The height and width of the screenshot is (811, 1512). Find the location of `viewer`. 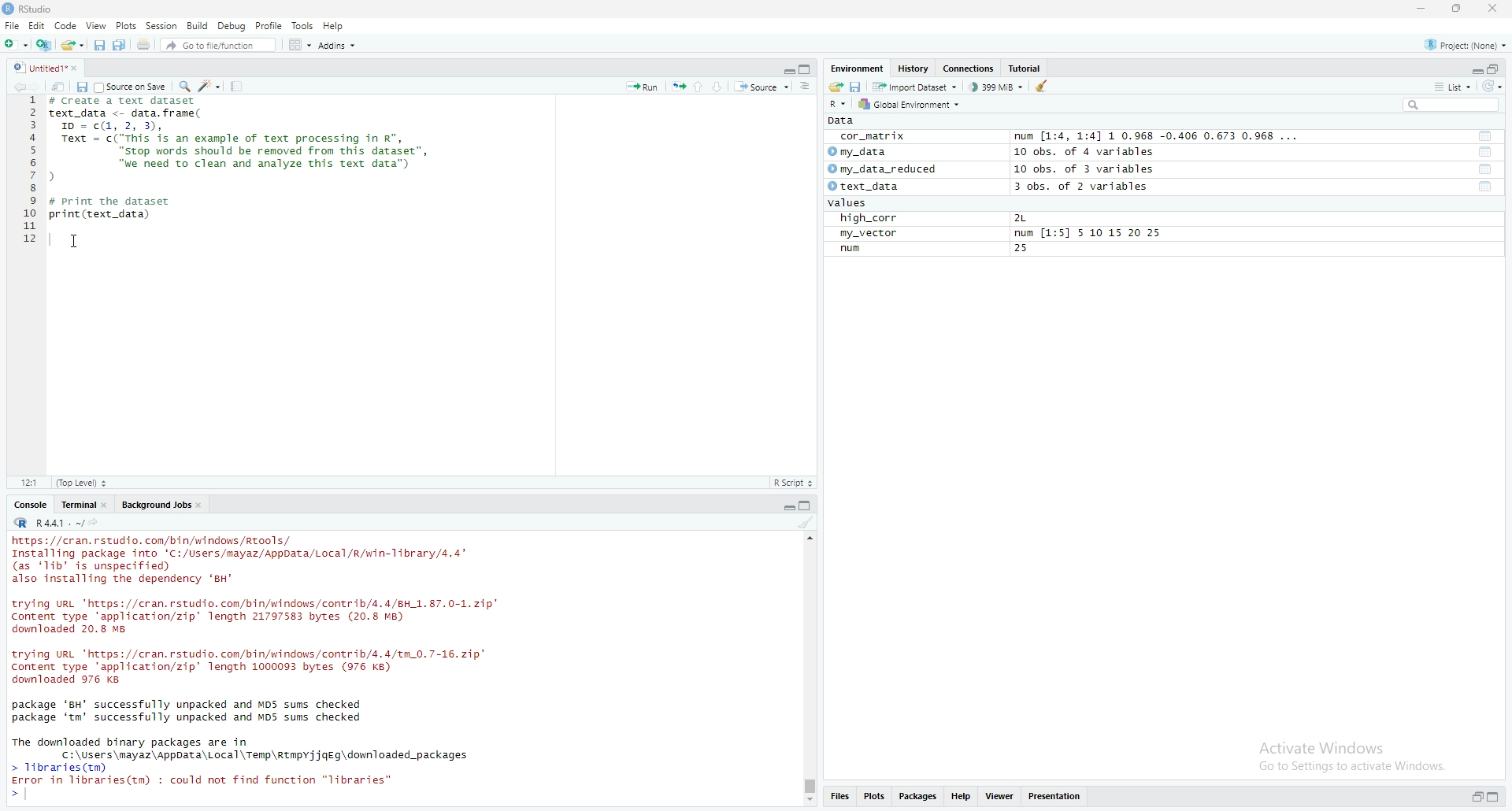

viewer is located at coordinates (999, 795).